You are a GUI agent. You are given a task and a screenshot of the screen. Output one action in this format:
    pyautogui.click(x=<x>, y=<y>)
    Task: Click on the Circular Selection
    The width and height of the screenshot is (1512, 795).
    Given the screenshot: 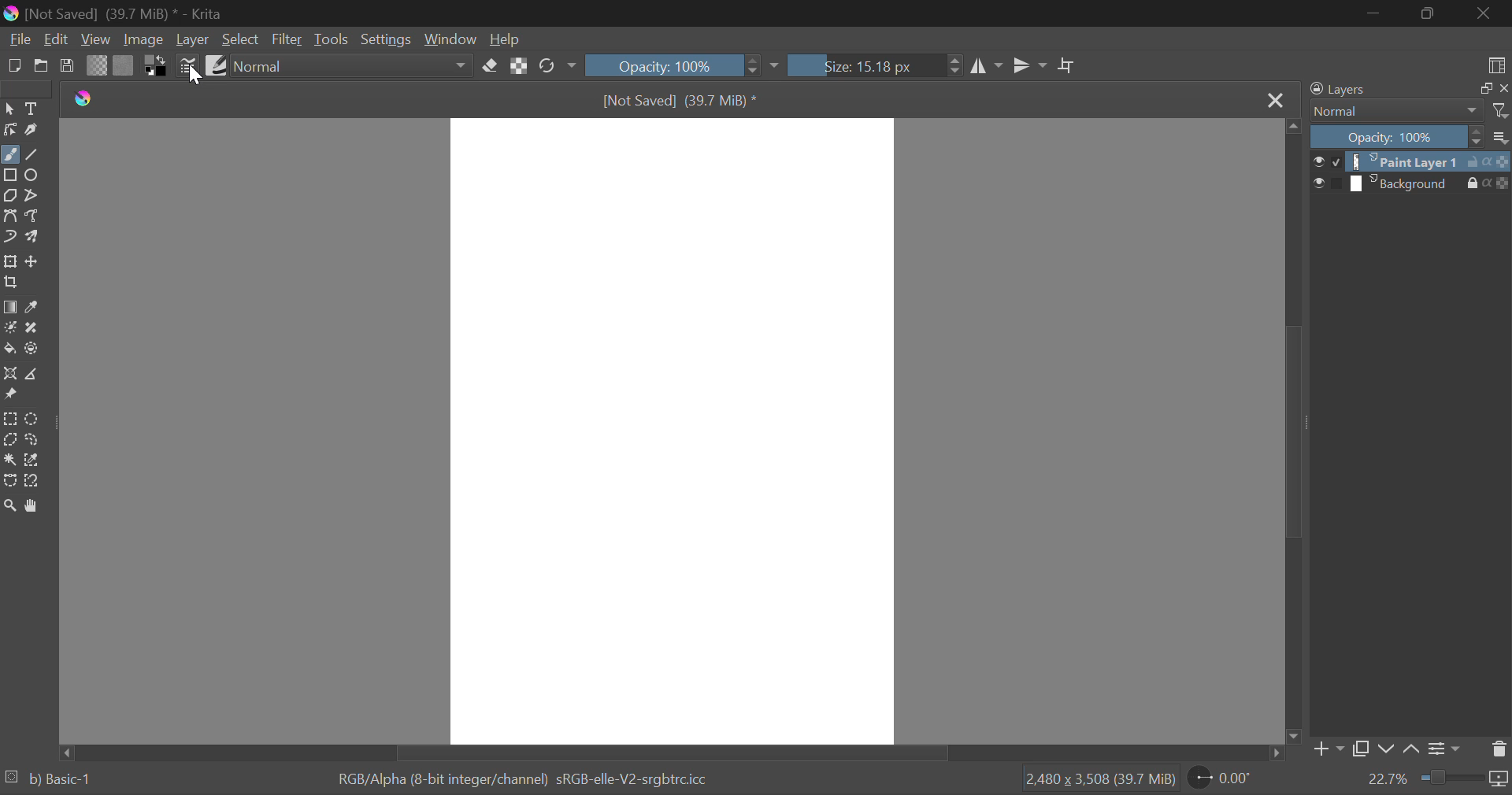 What is the action you would take?
    pyautogui.click(x=32, y=419)
    